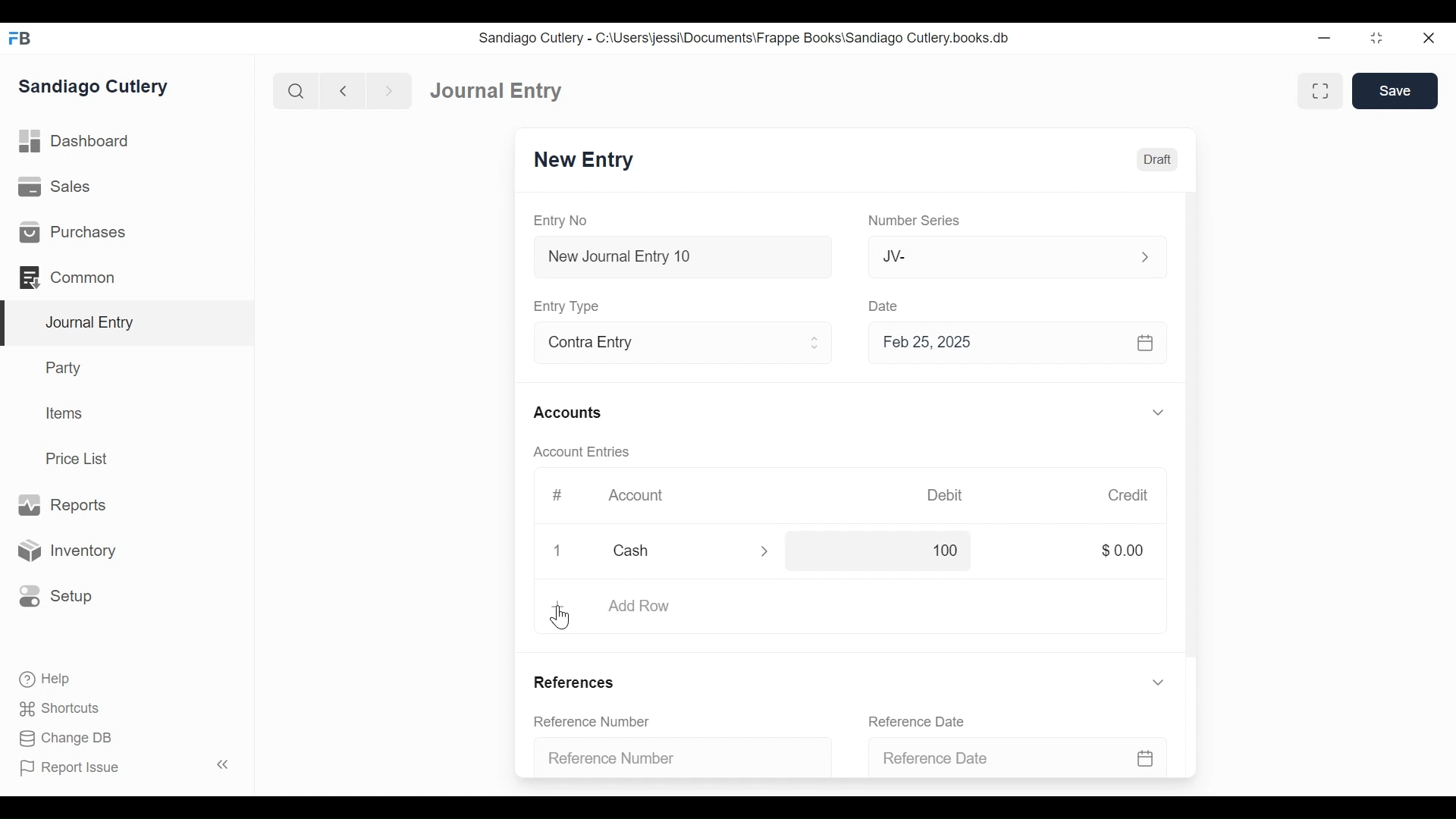 This screenshot has height=819, width=1456. Describe the element at coordinates (998, 256) in the screenshot. I see `JV-` at that location.